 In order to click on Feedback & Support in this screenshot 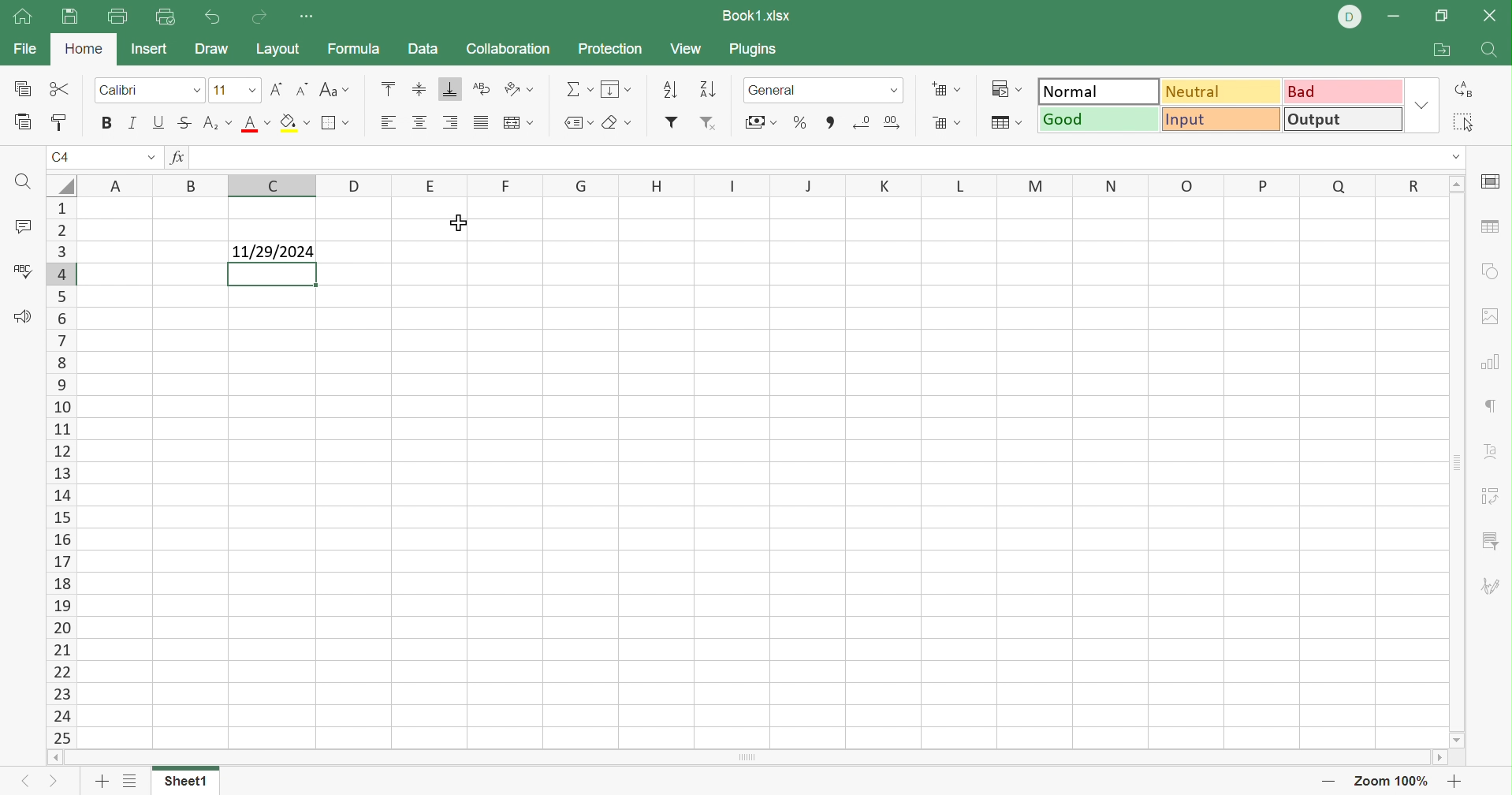, I will do `click(24, 319)`.